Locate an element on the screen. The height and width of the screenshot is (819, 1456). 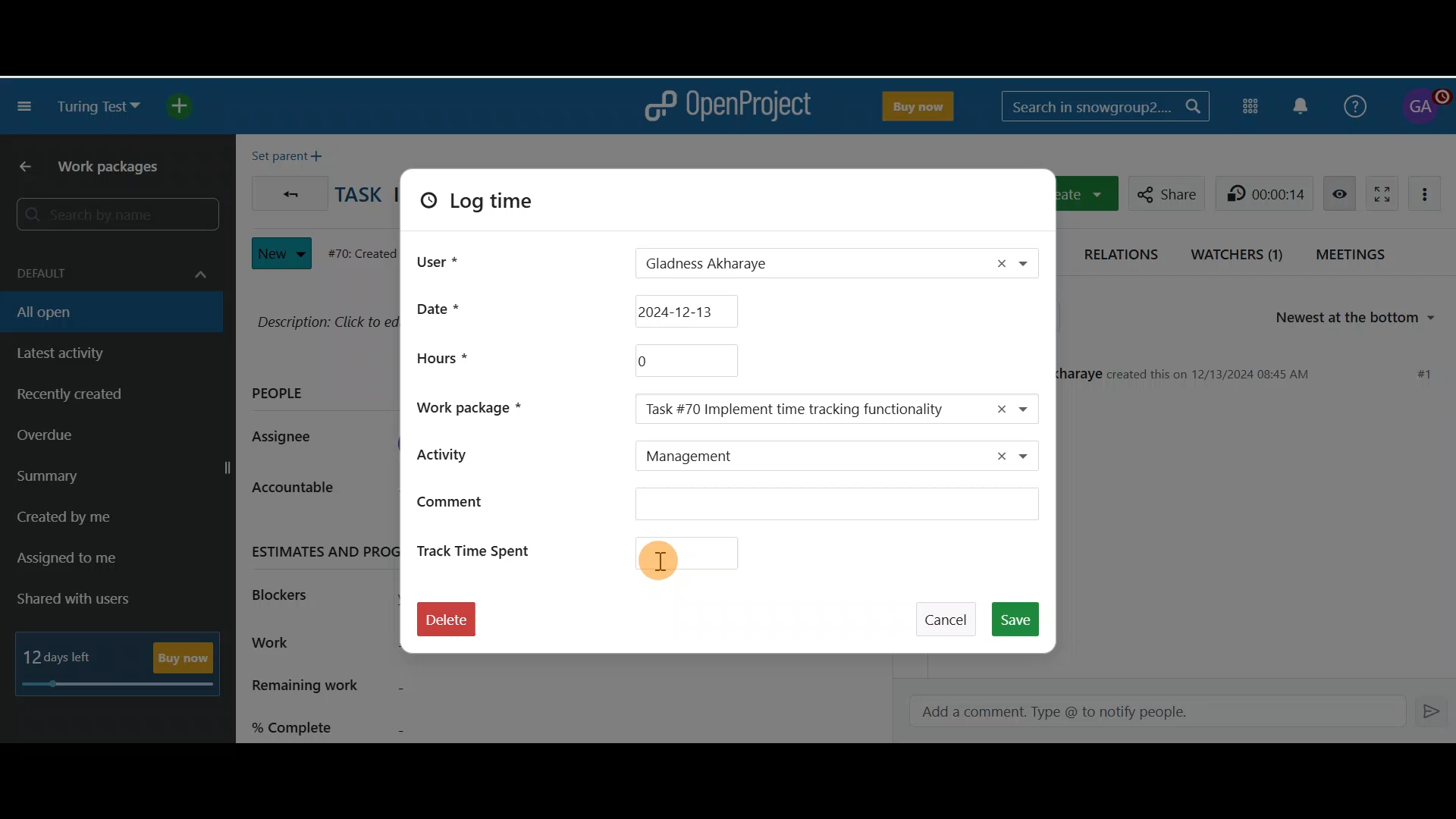
Collapse project menu is located at coordinates (26, 108).